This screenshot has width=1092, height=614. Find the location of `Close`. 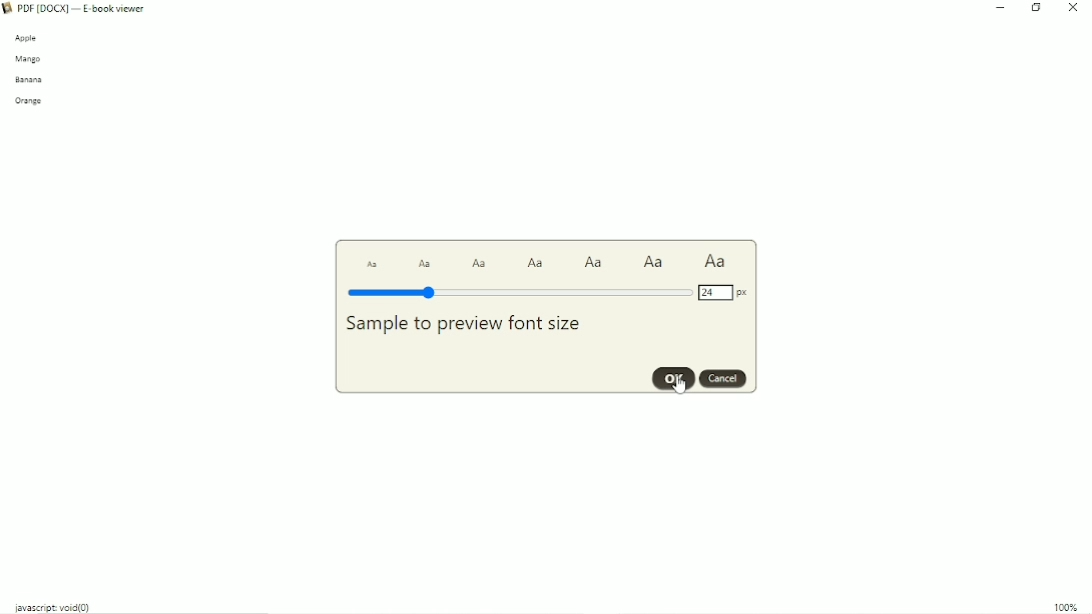

Close is located at coordinates (1074, 9).